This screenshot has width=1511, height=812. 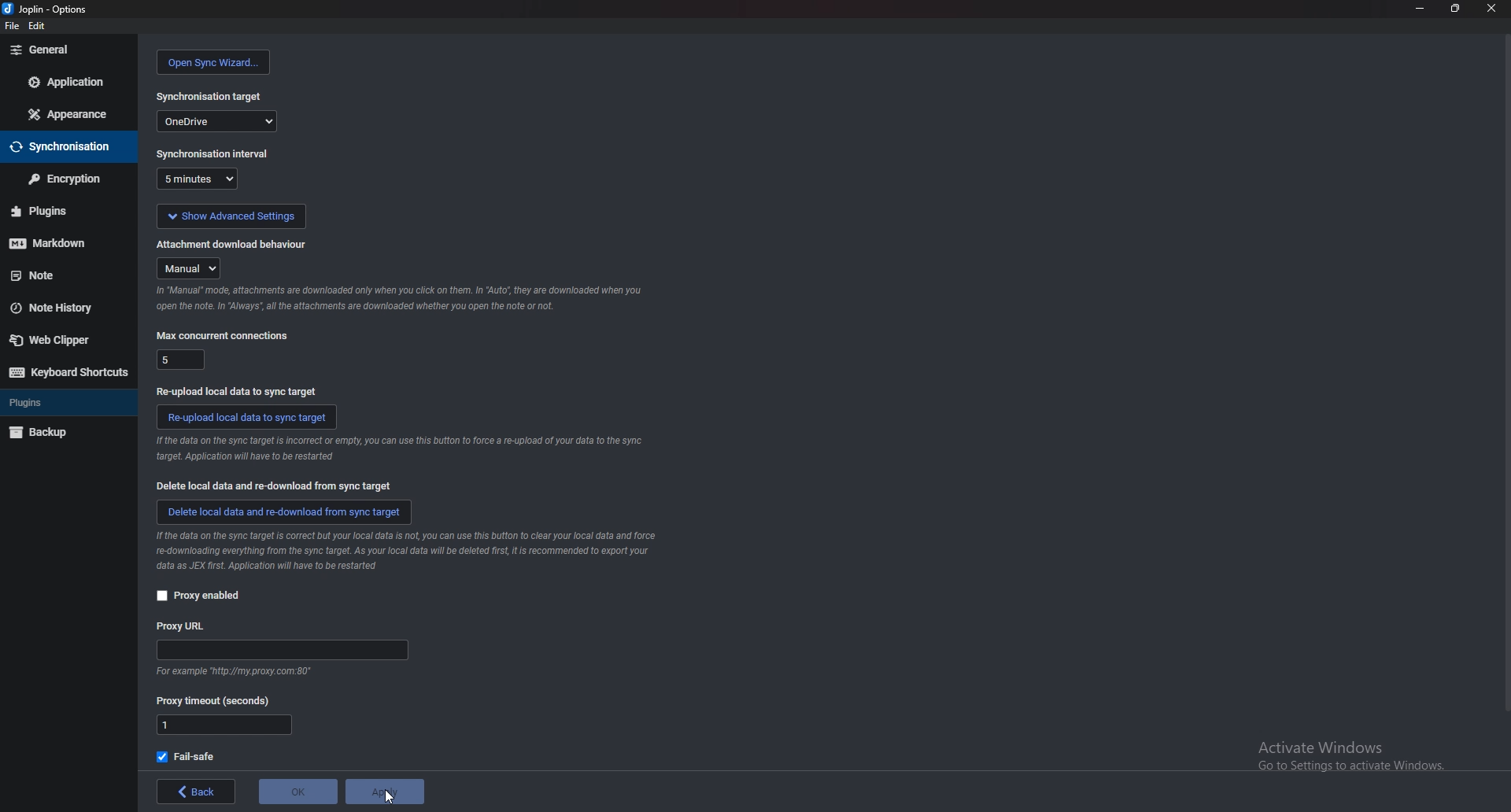 I want to click on markdown, so click(x=63, y=243).